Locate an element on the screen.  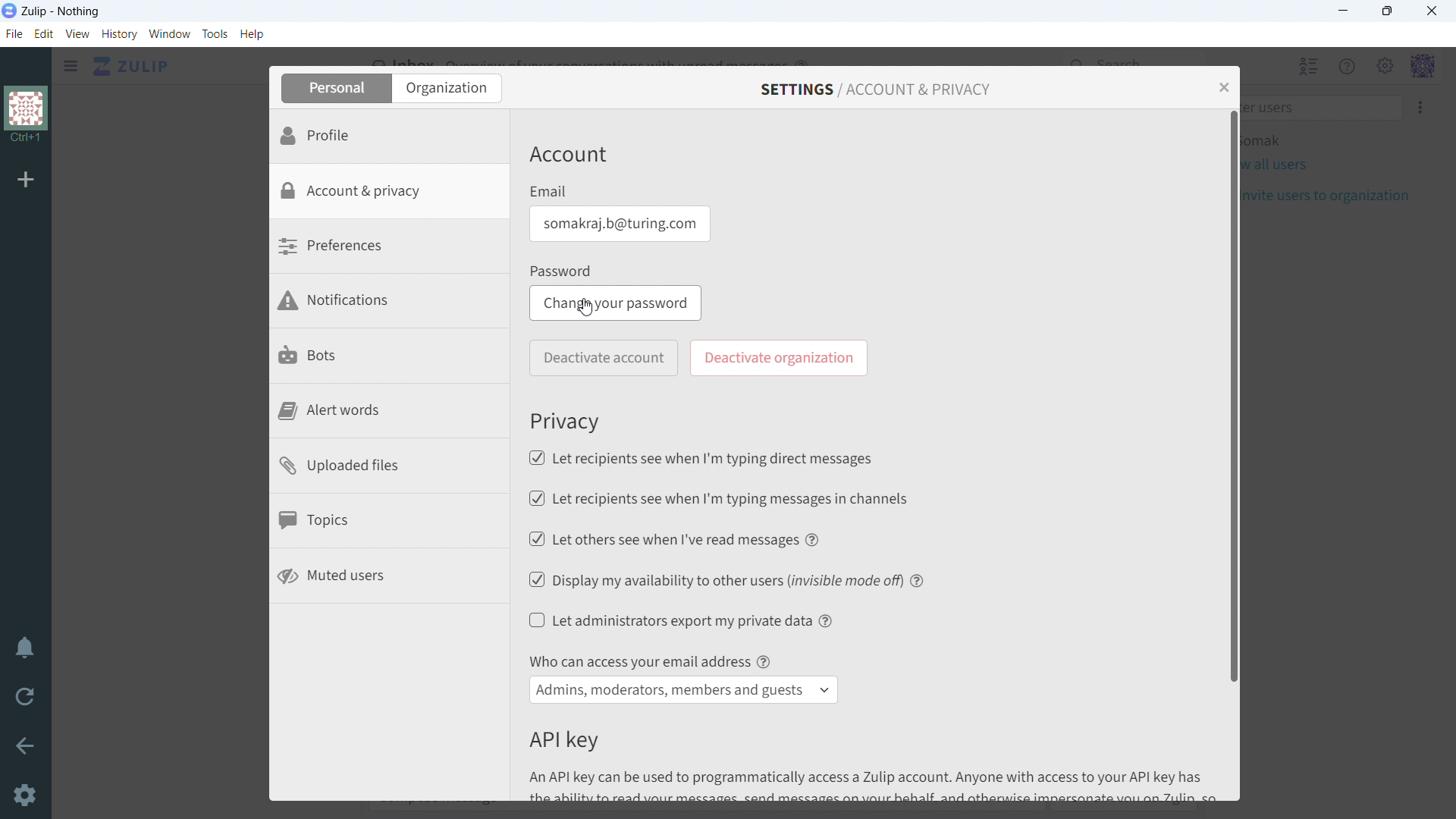
history is located at coordinates (120, 34).